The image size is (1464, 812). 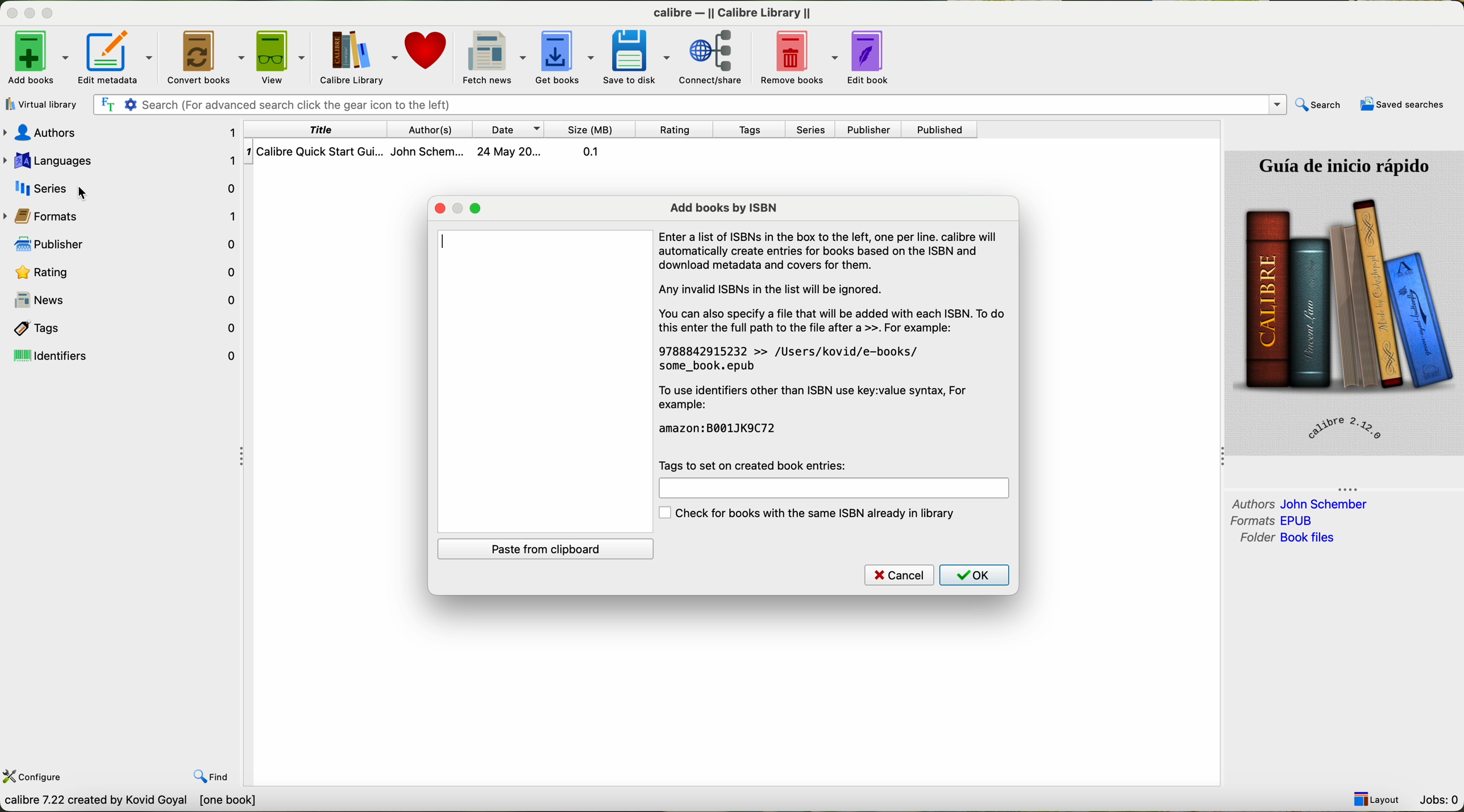 What do you see at coordinates (128, 247) in the screenshot?
I see `publishers` at bounding box center [128, 247].